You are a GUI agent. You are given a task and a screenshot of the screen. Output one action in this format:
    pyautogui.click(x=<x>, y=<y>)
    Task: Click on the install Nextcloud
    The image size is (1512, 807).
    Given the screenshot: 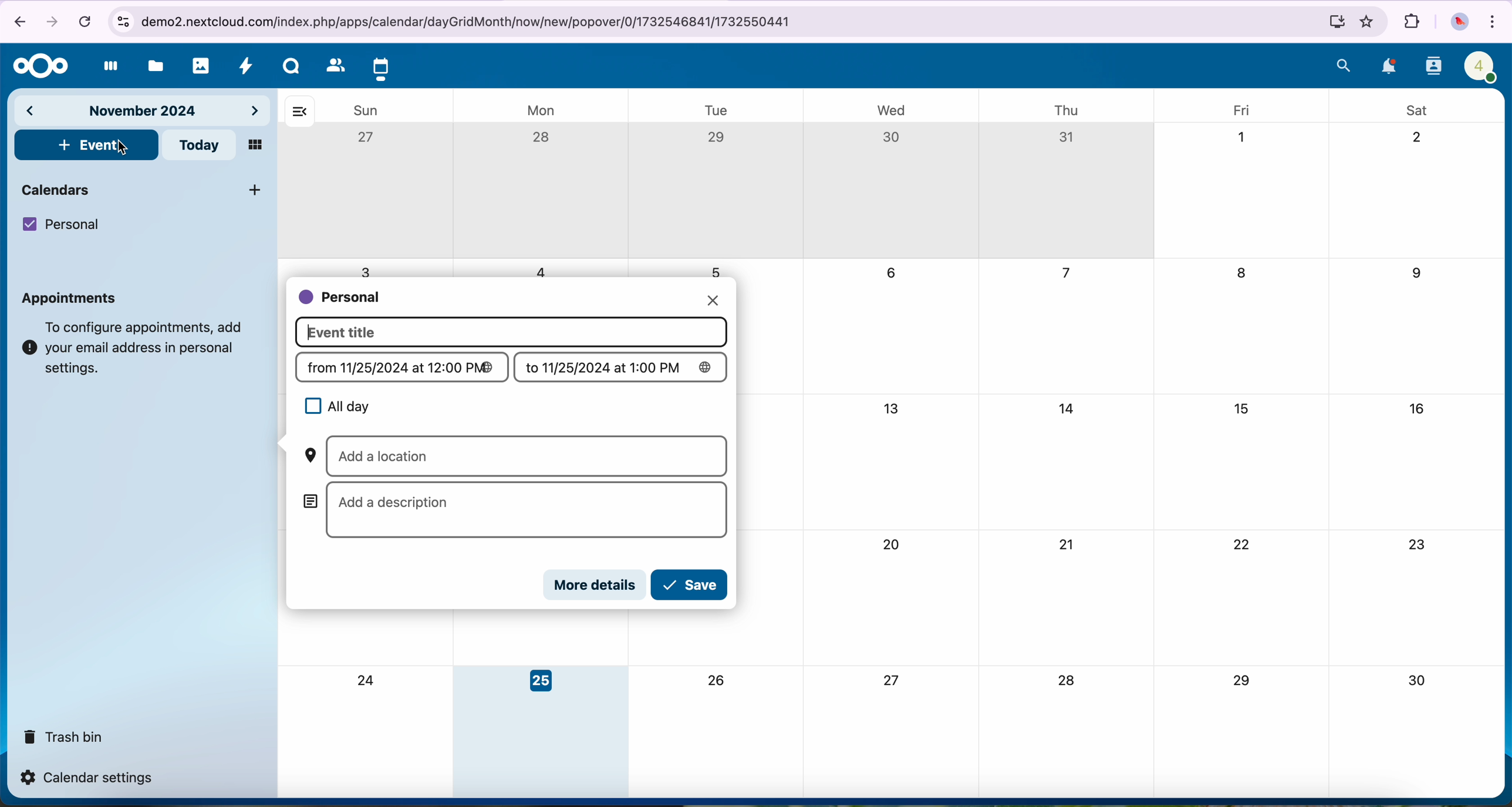 What is the action you would take?
    pyautogui.click(x=1335, y=21)
    